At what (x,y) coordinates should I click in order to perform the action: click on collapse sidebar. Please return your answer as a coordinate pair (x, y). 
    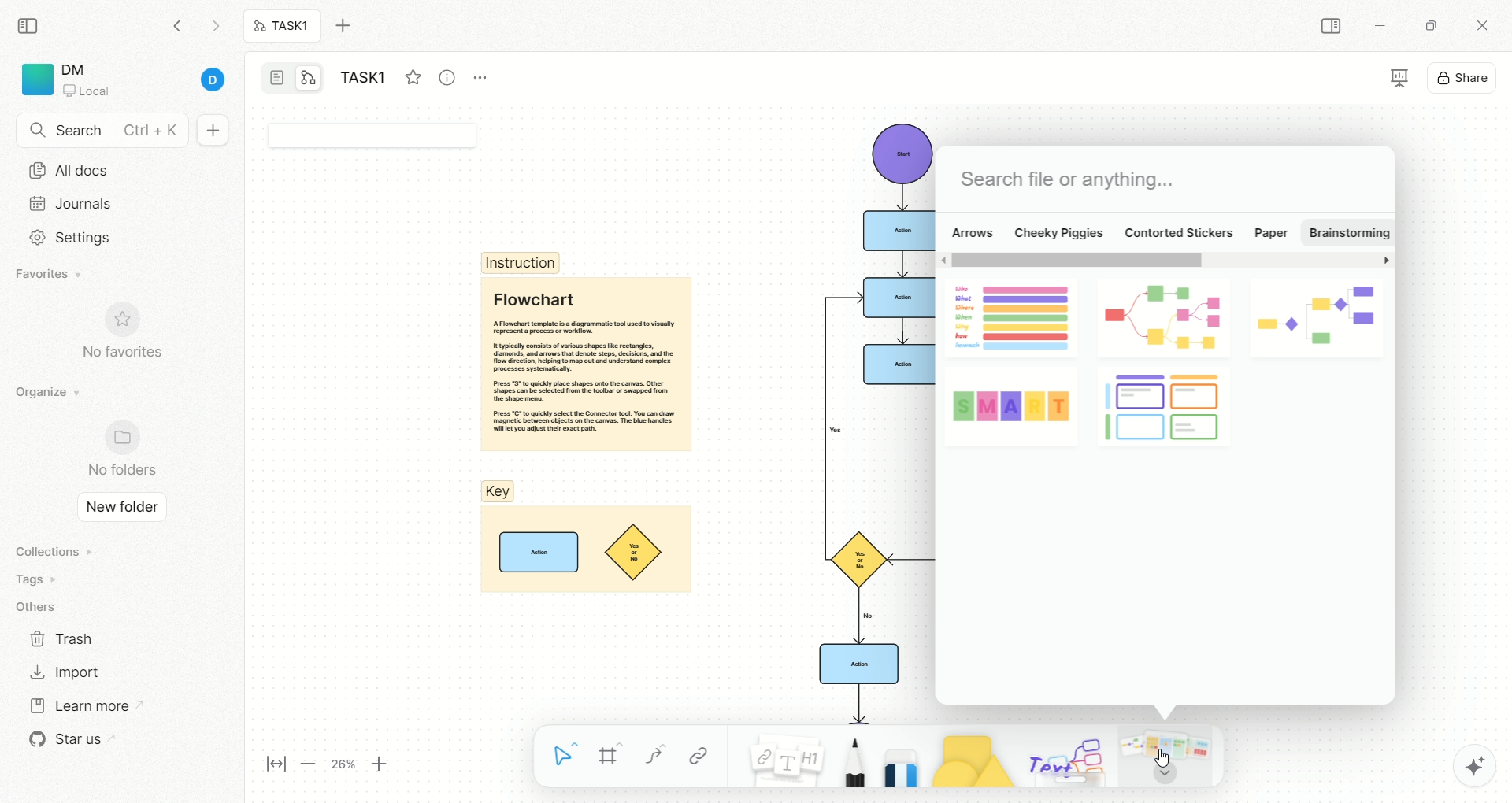
    Looking at the image, I should click on (32, 24).